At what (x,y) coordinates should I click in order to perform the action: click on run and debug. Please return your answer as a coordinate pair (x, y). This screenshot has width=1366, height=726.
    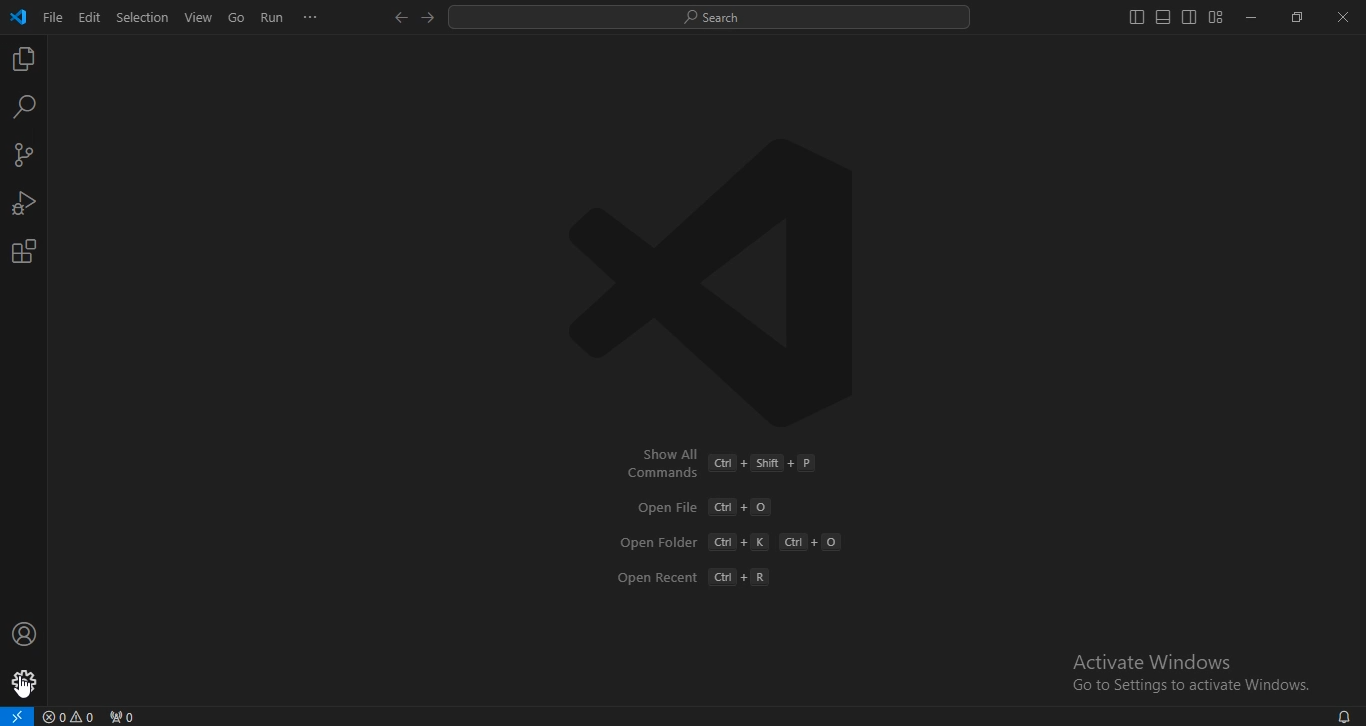
    Looking at the image, I should click on (24, 206).